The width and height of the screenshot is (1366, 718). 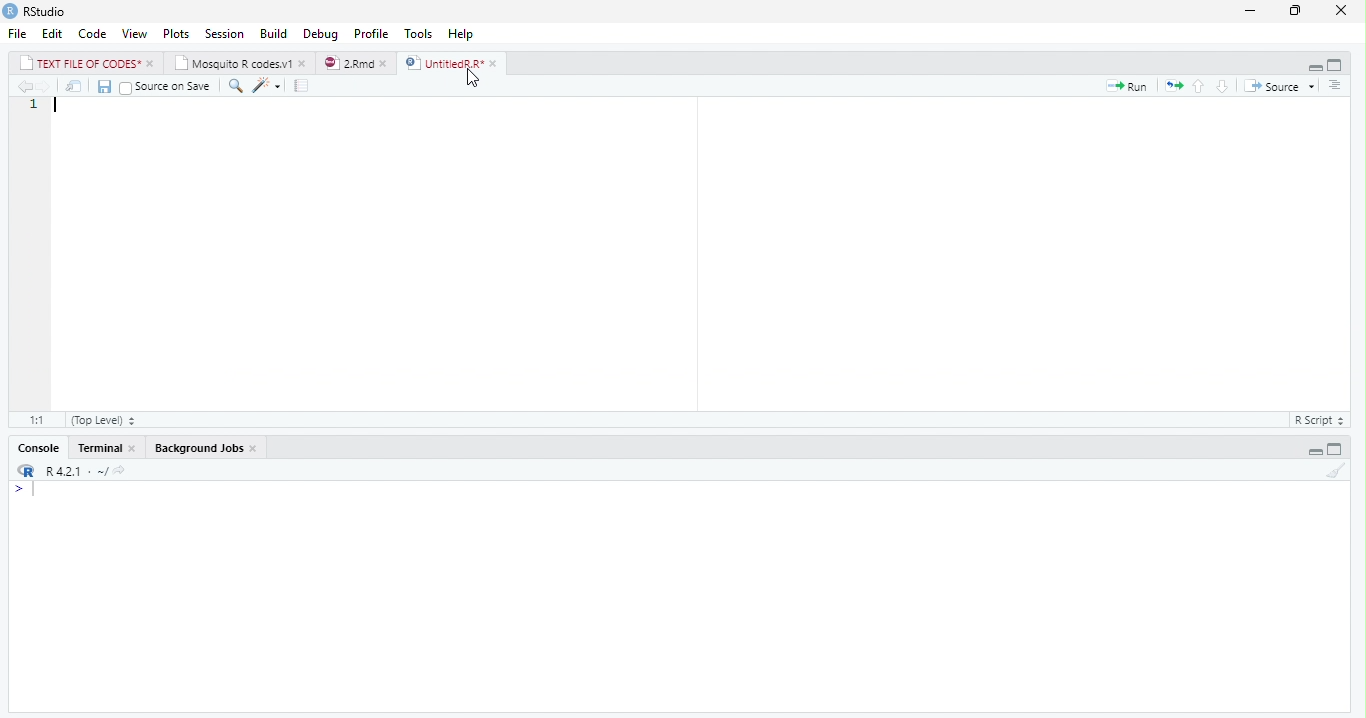 What do you see at coordinates (45, 87) in the screenshot?
I see `forward` at bounding box center [45, 87].